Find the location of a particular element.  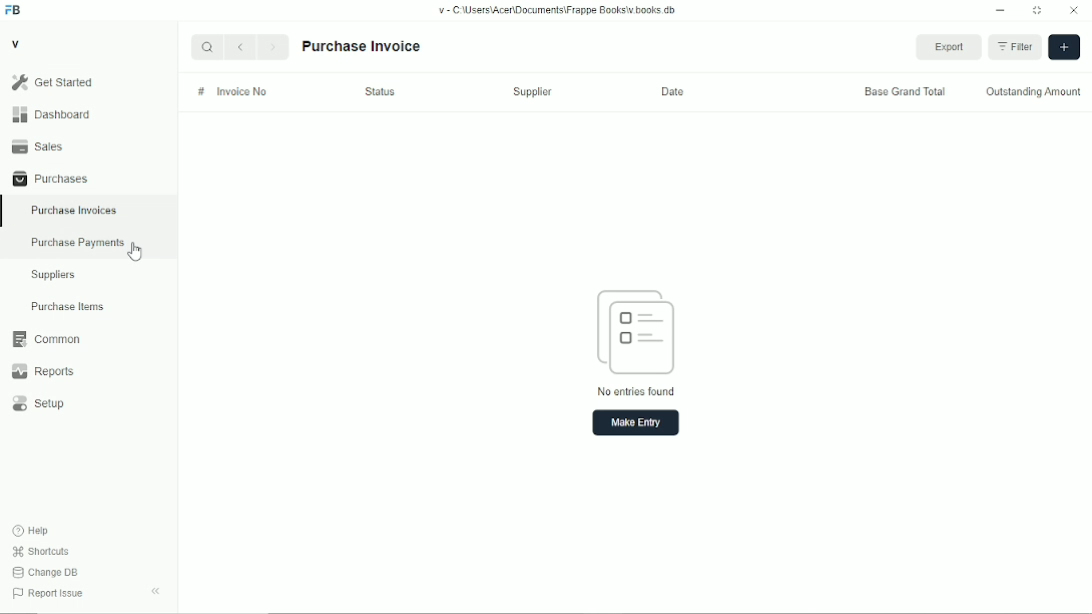

Articles icon is located at coordinates (636, 332).